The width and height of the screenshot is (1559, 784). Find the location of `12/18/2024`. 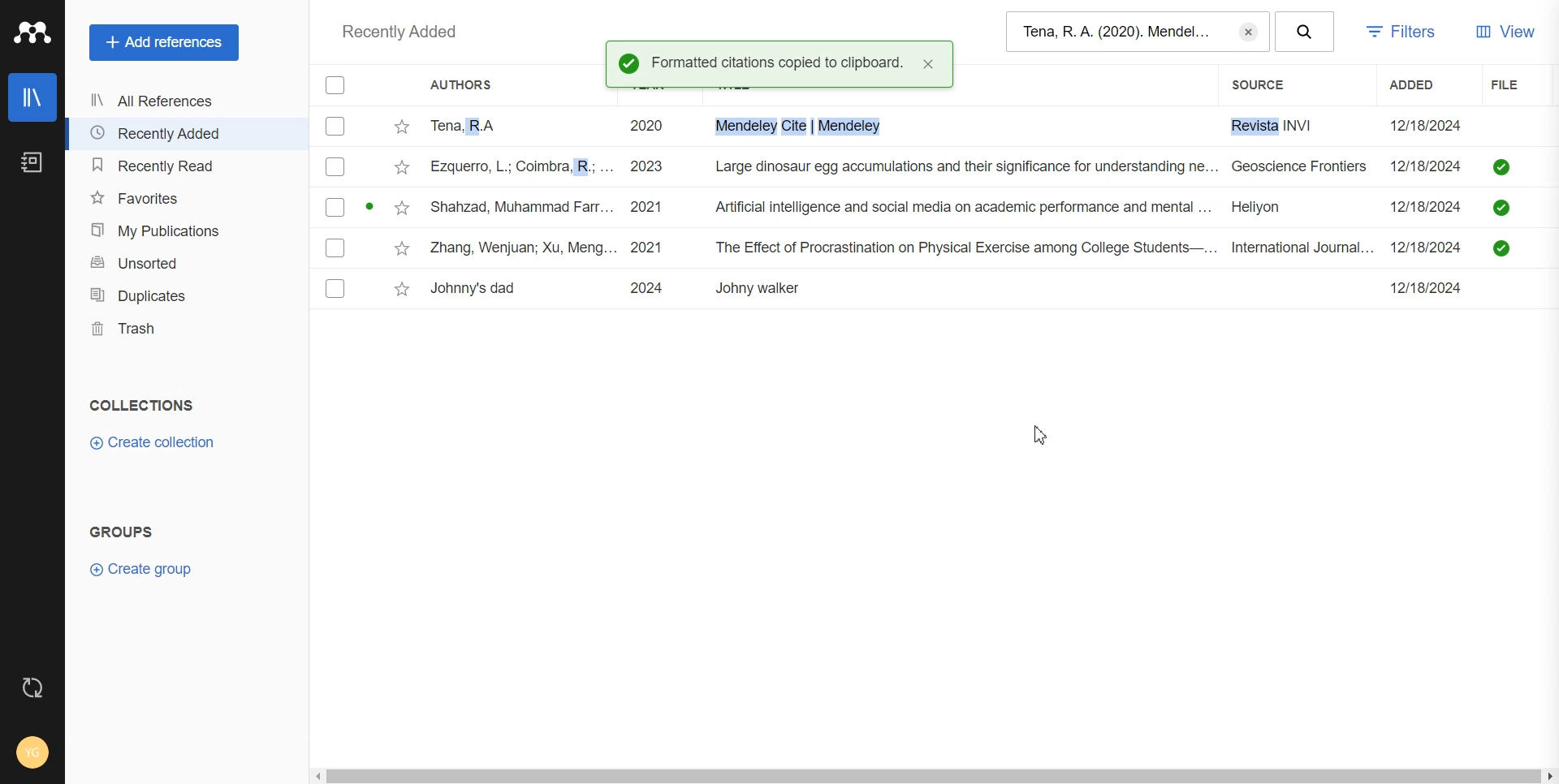

12/18/2024 is located at coordinates (1431, 245).